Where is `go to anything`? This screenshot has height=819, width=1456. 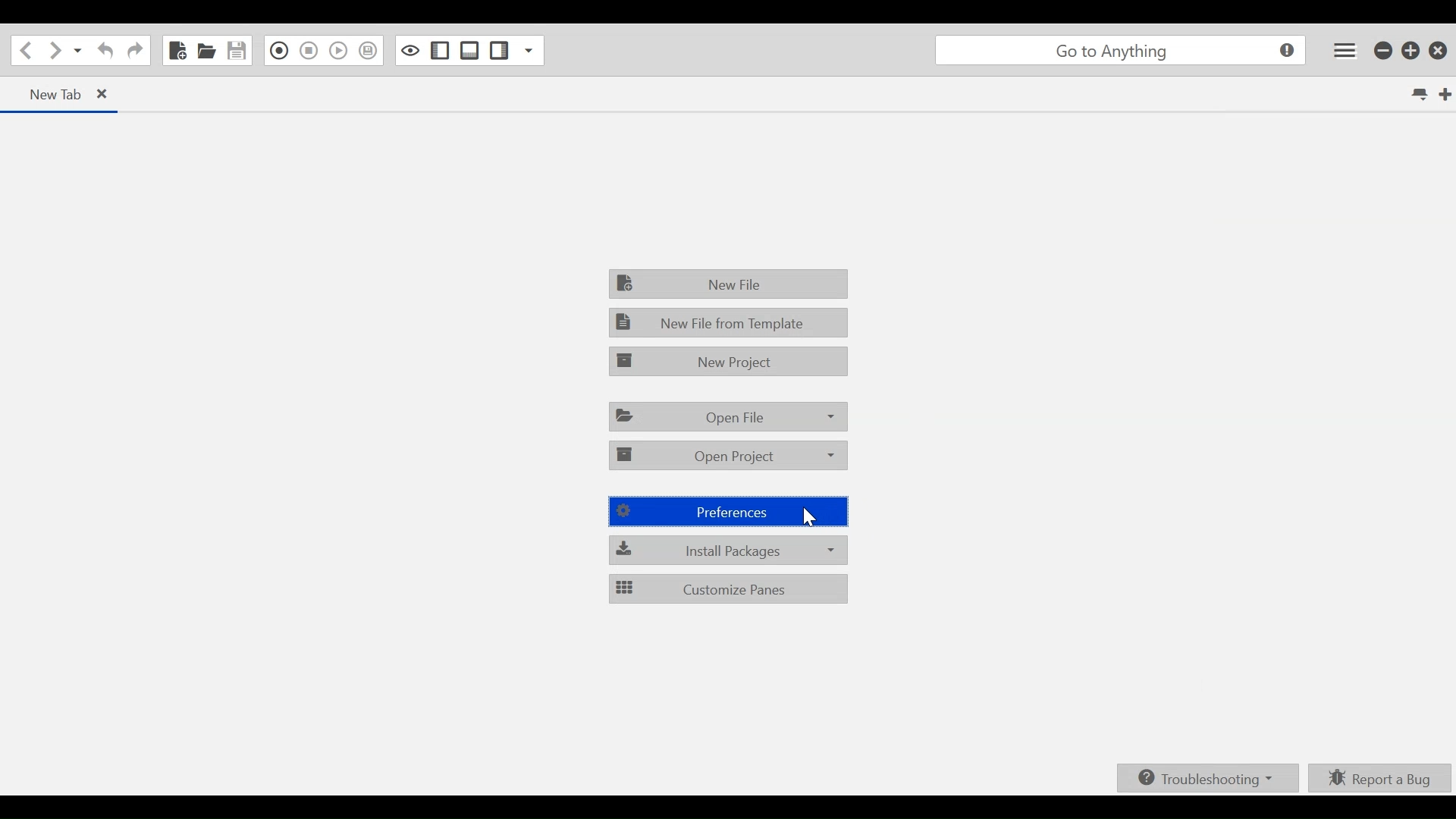
go to anything is located at coordinates (1120, 52).